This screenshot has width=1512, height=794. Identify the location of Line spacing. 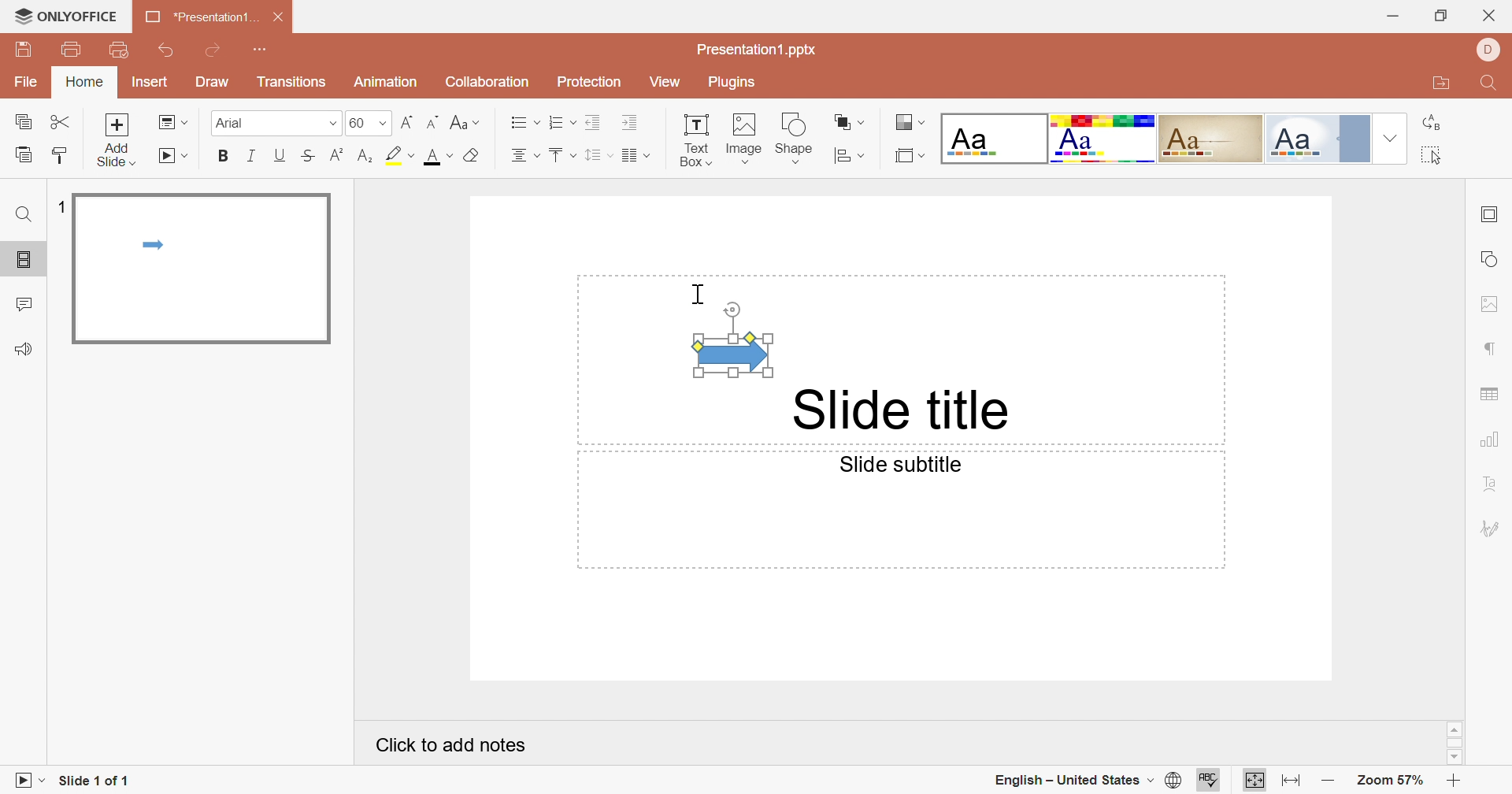
(599, 155).